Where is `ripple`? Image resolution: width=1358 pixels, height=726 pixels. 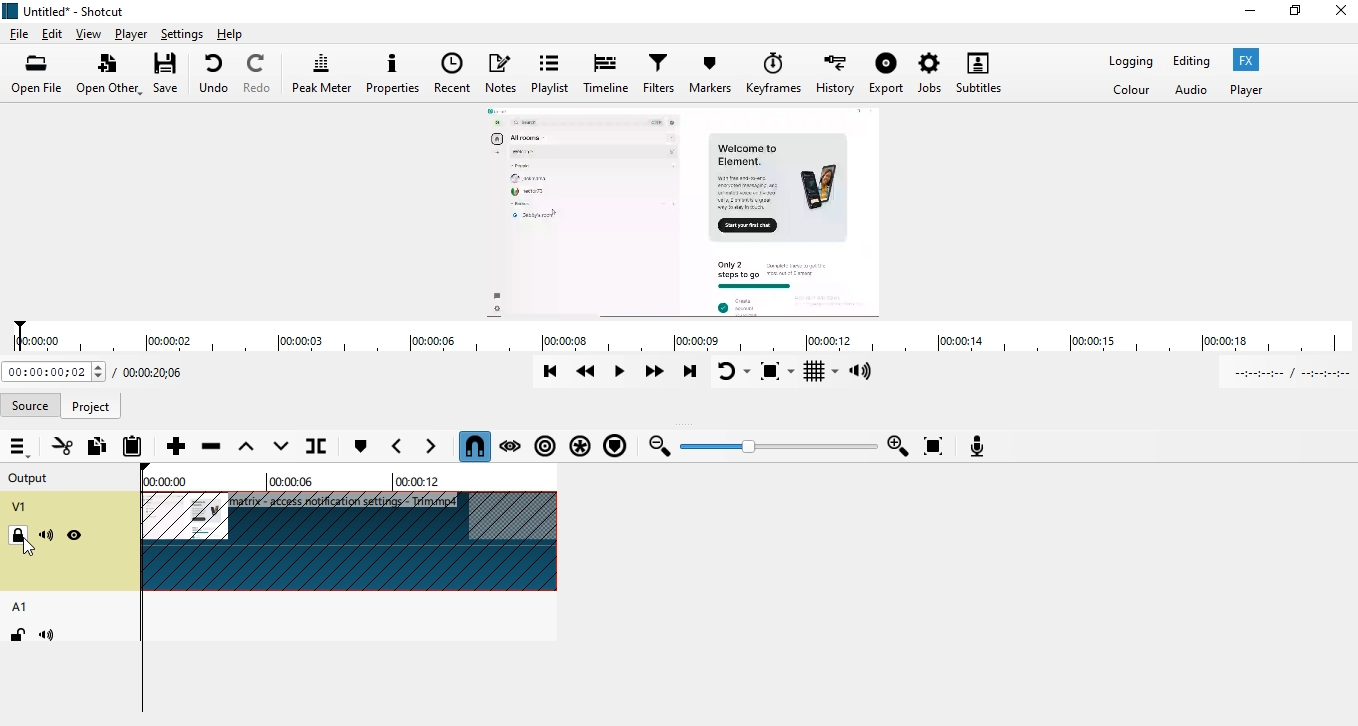 ripple is located at coordinates (546, 448).